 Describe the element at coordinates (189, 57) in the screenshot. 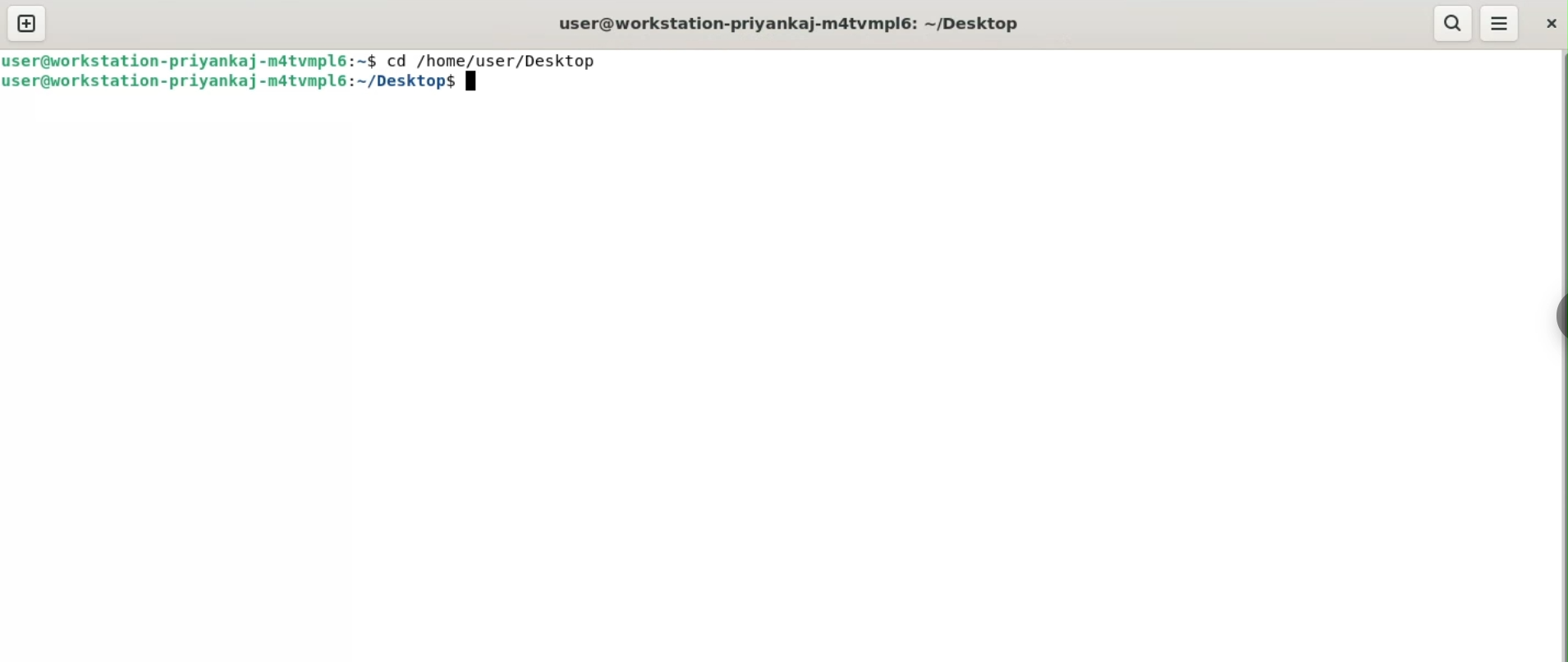

I see `user@workstation-priyankaj-m4tvmpl6:~$` at that location.